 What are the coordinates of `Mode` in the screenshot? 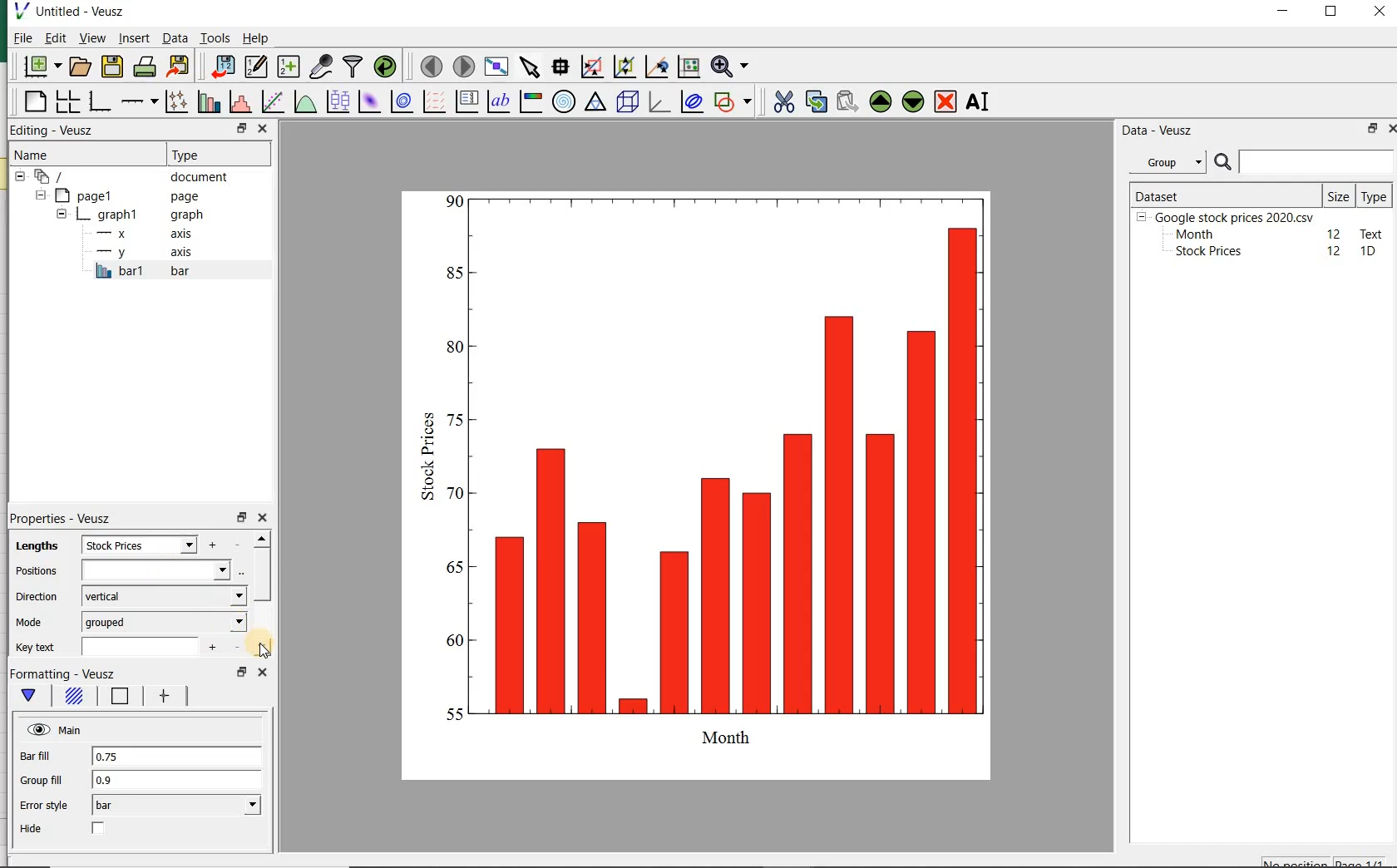 It's located at (31, 621).